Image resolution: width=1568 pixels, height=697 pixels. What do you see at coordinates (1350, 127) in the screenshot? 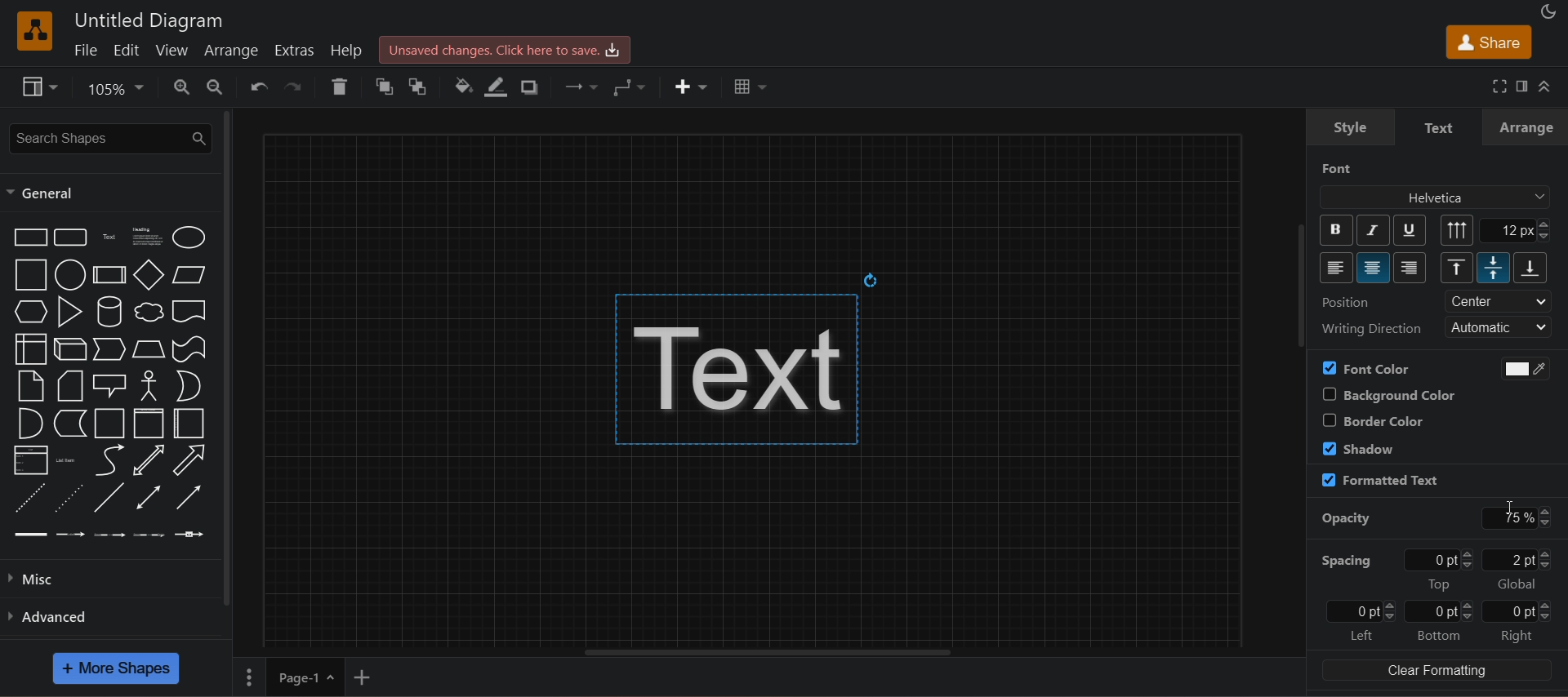
I see `style` at bounding box center [1350, 127].